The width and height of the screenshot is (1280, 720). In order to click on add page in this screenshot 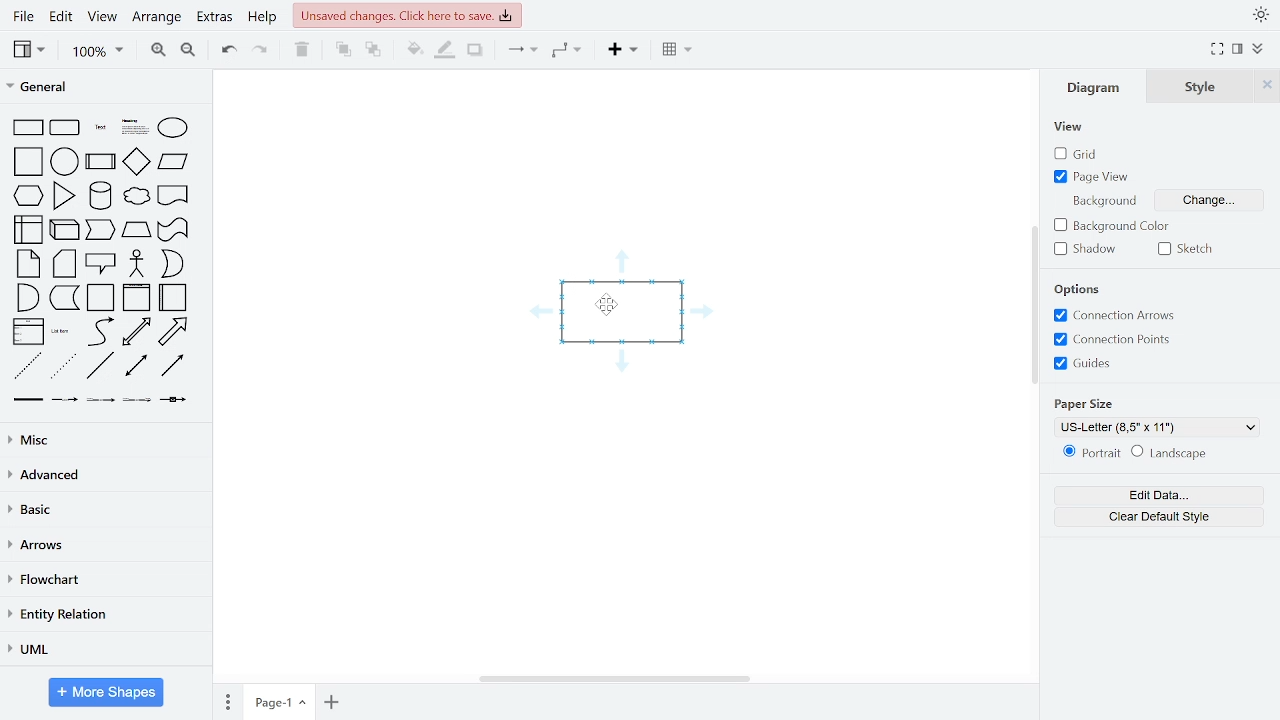, I will do `click(331, 703)`.